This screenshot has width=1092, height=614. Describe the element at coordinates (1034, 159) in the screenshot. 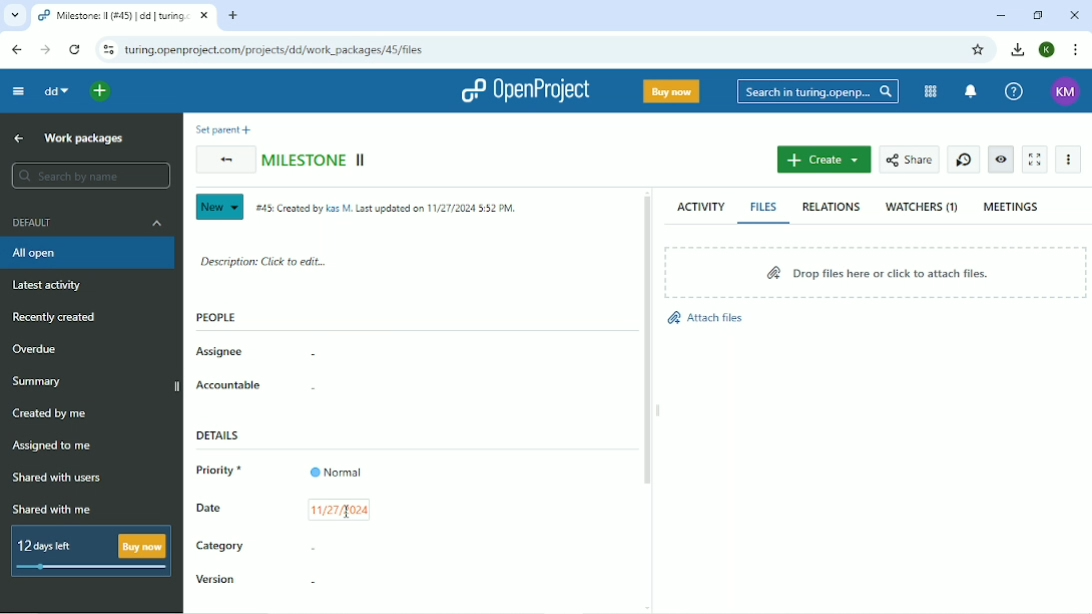

I see `Activate zen mode` at that location.